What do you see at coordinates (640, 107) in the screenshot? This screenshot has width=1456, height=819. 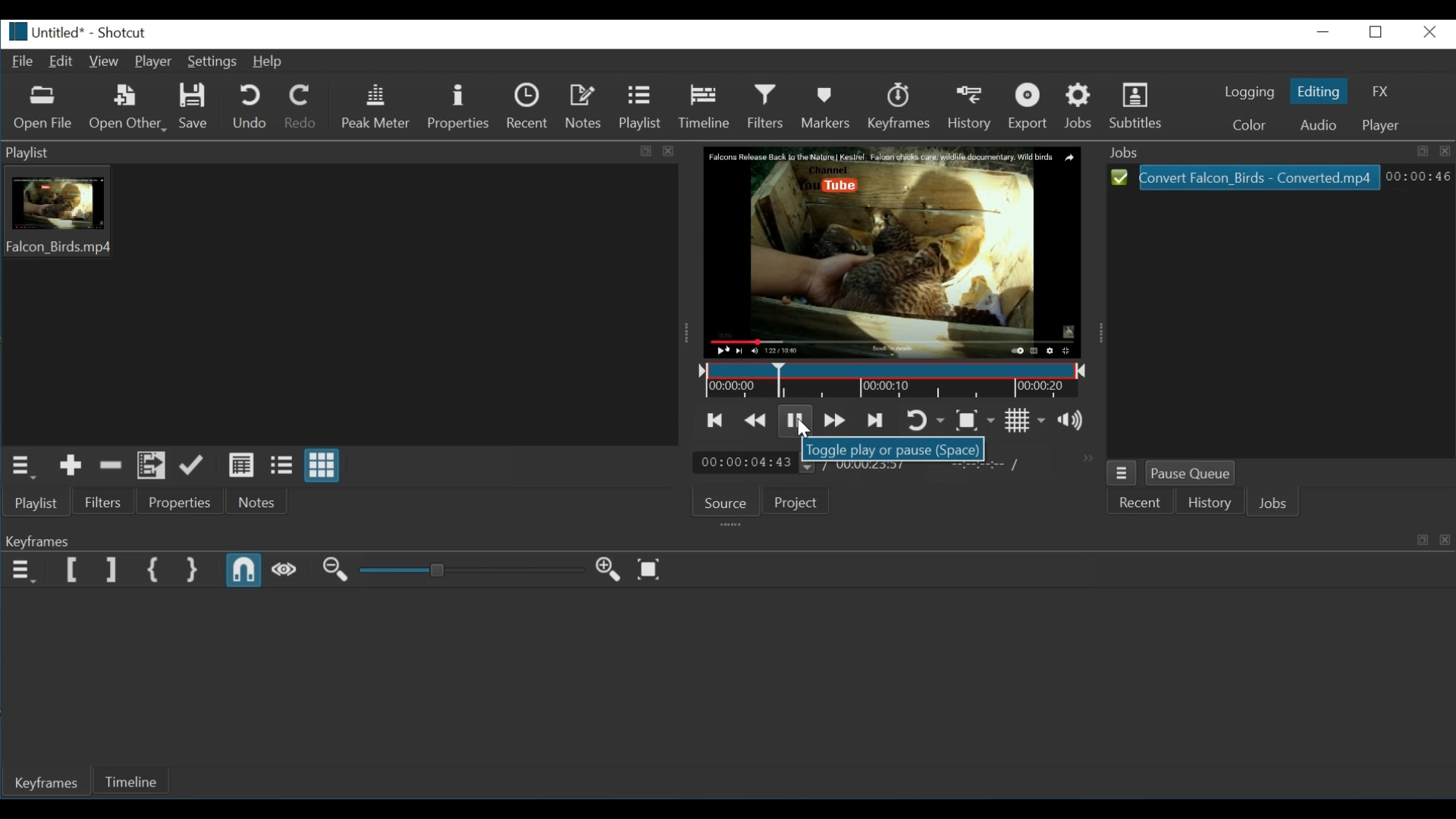 I see `Playlist` at bounding box center [640, 107].